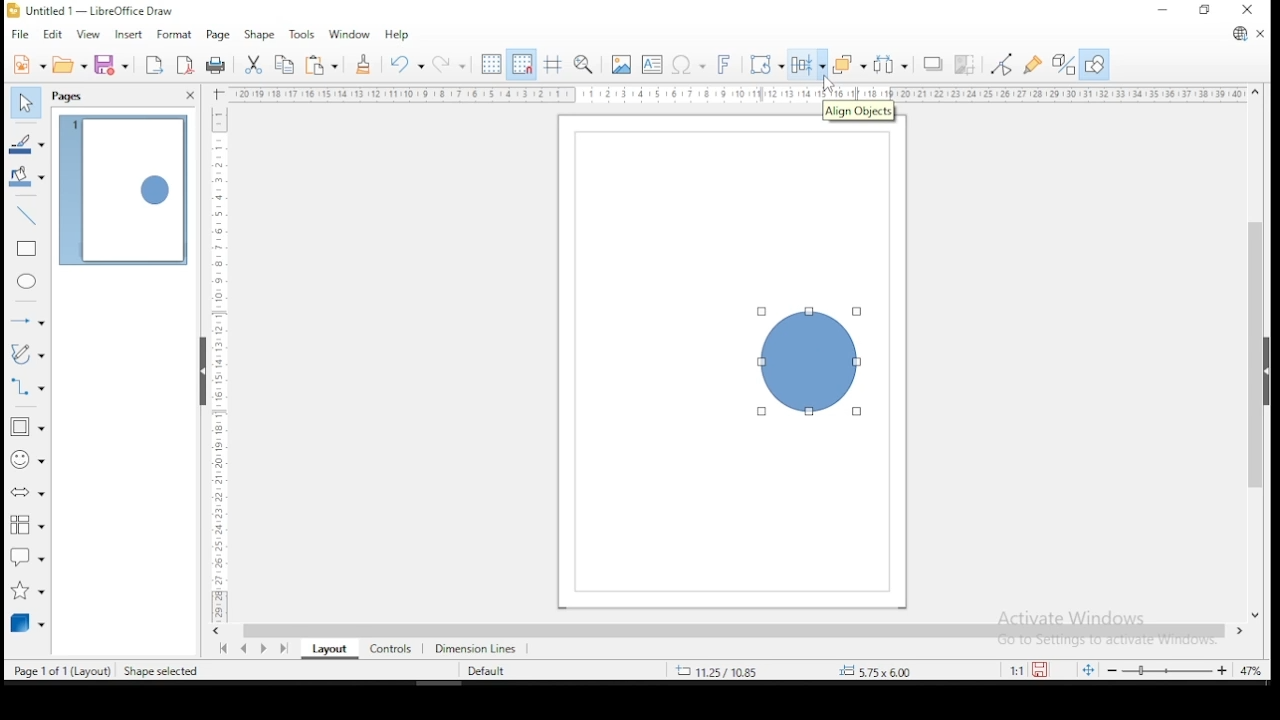 Image resolution: width=1280 pixels, height=720 pixels. What do you see at coordinates (476, 647) in the screenshot?
I see `dimension lines` at bounding box center [476, 647].